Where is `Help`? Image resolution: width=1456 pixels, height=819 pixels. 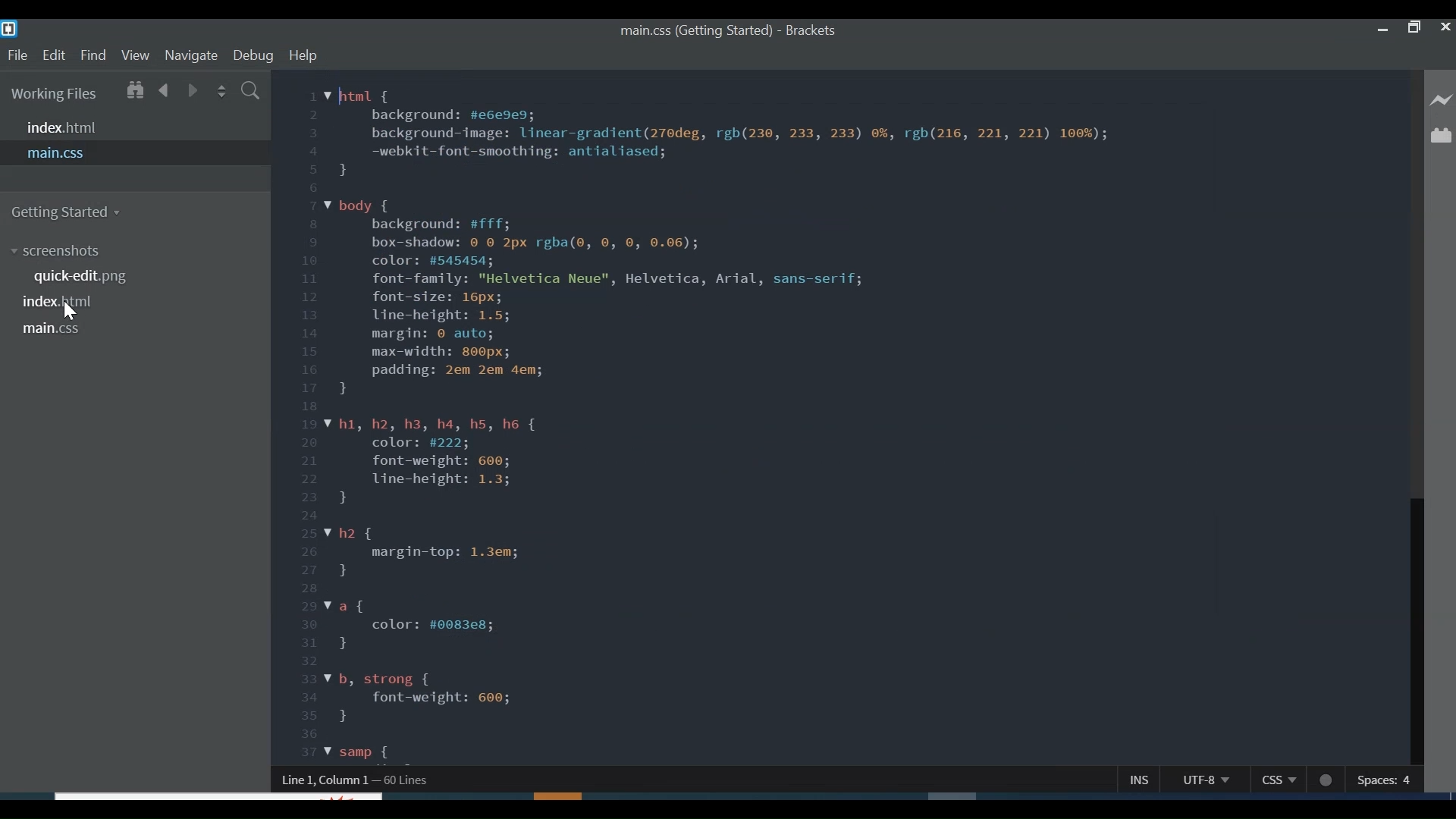 Help is located at coordinates (306, 56).